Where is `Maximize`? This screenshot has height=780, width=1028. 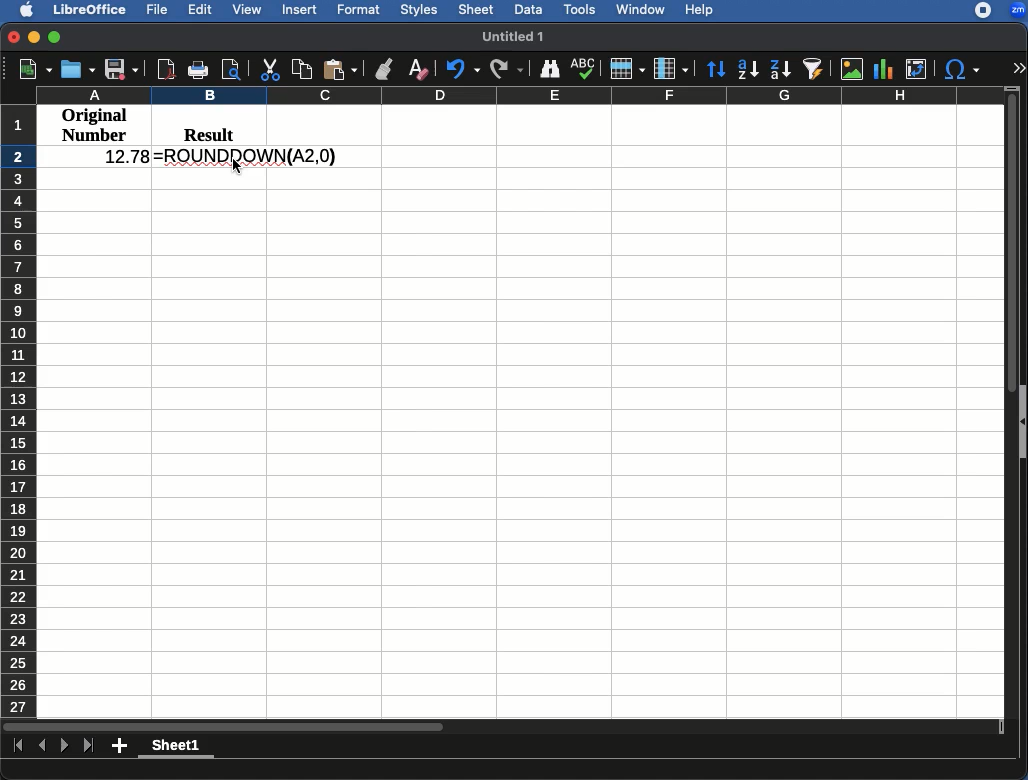 Maximize is located at coordinates (56, 39).